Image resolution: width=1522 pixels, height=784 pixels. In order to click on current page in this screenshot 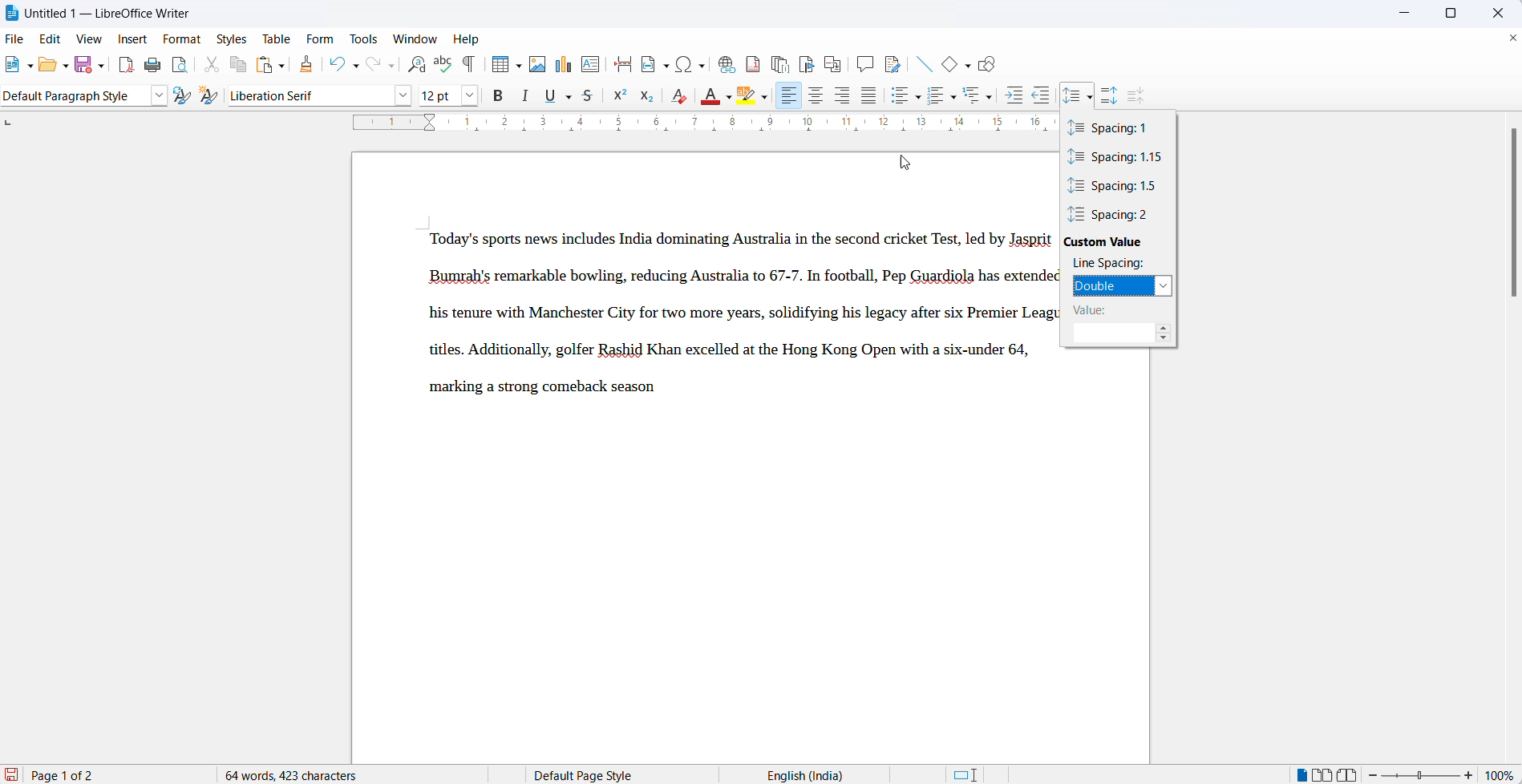, I will do `click(78, 775)`.